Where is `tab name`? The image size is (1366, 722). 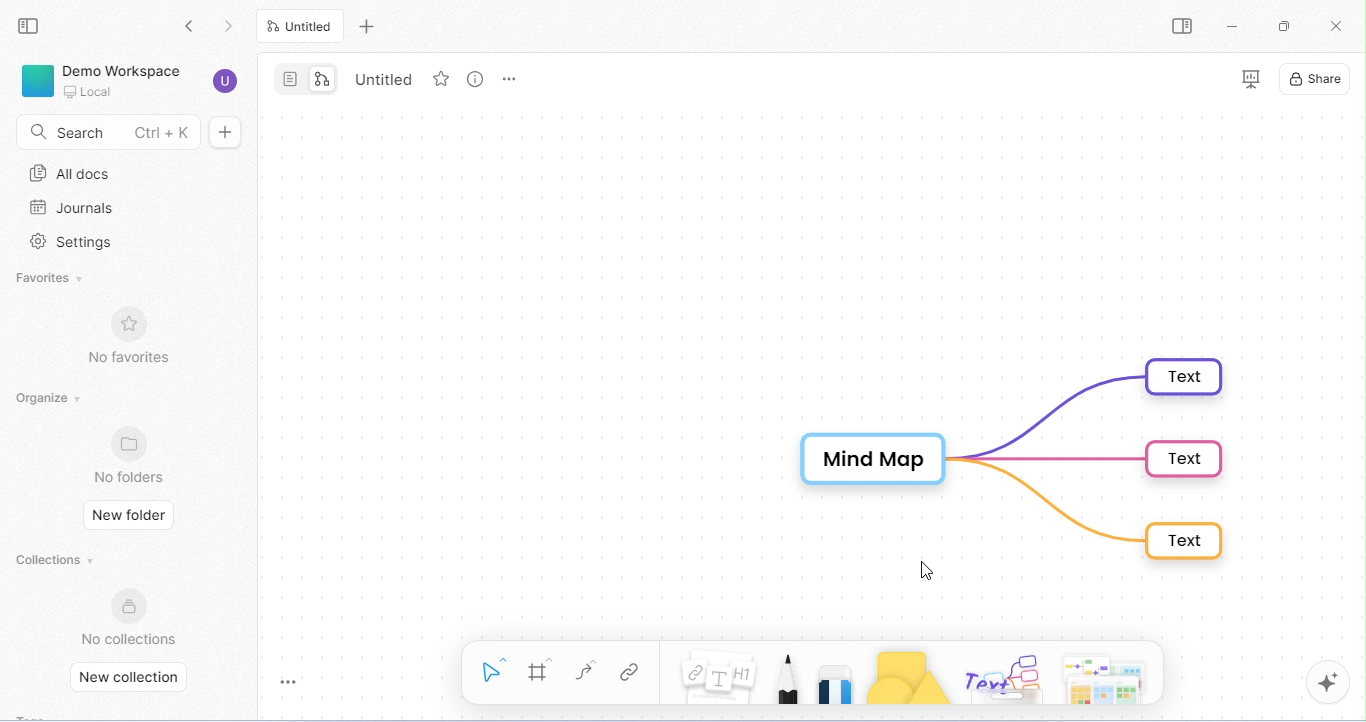
tab name is located at coordinates (385, 78).